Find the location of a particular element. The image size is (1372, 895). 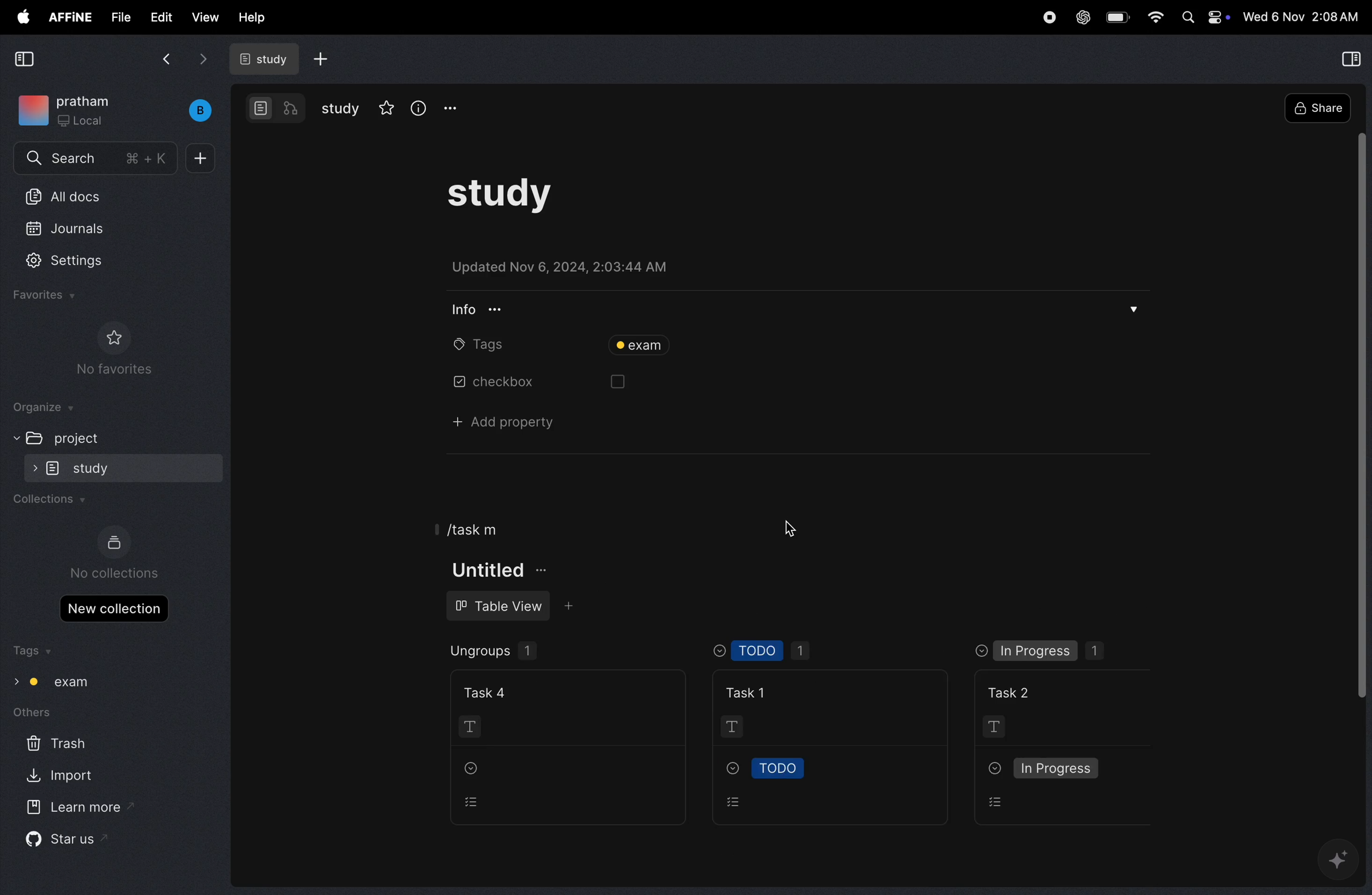

chat gpt is located at coordinates (1079, 18).